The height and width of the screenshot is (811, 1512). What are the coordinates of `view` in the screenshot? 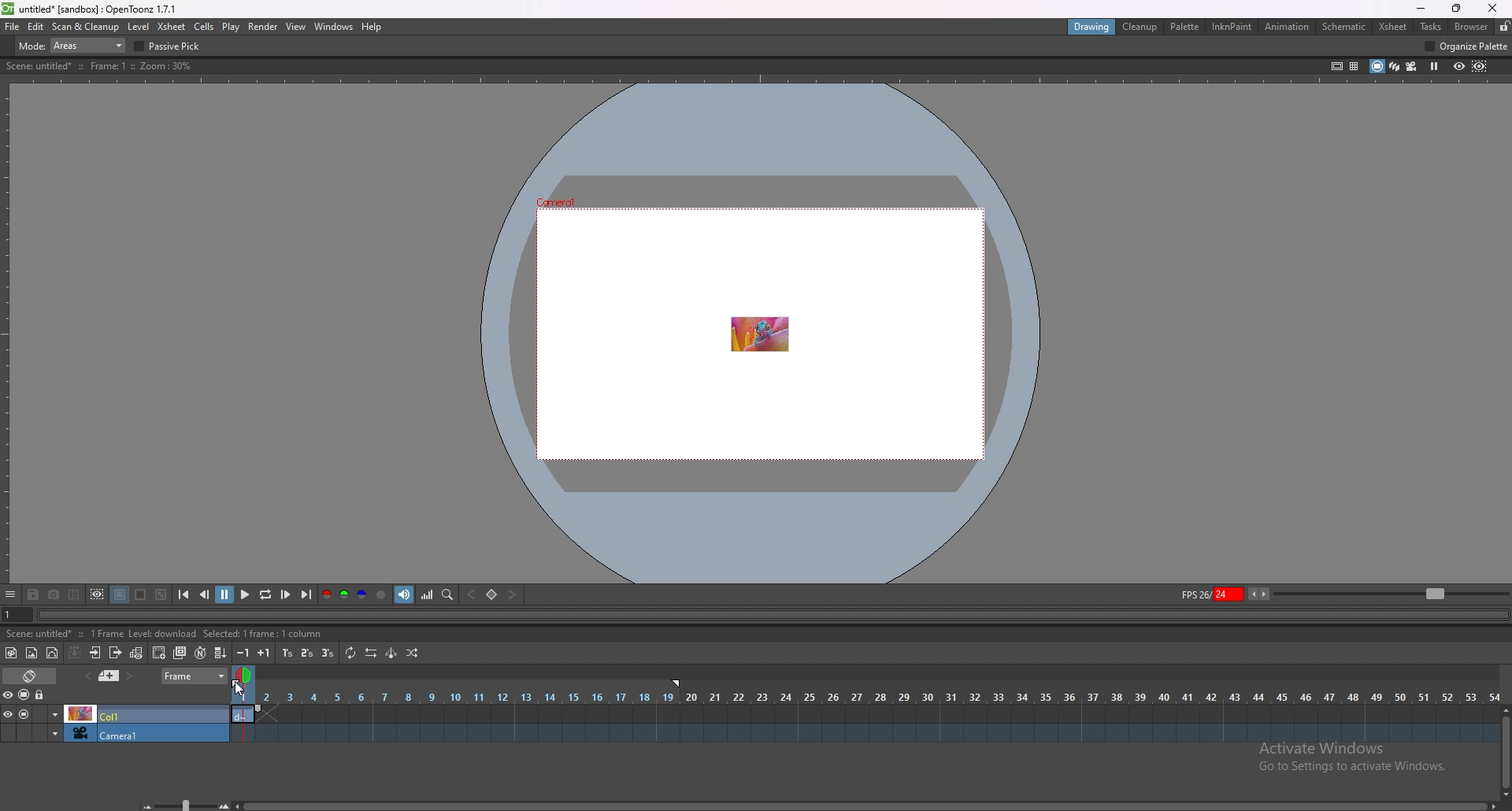 It's located at (297, 27).